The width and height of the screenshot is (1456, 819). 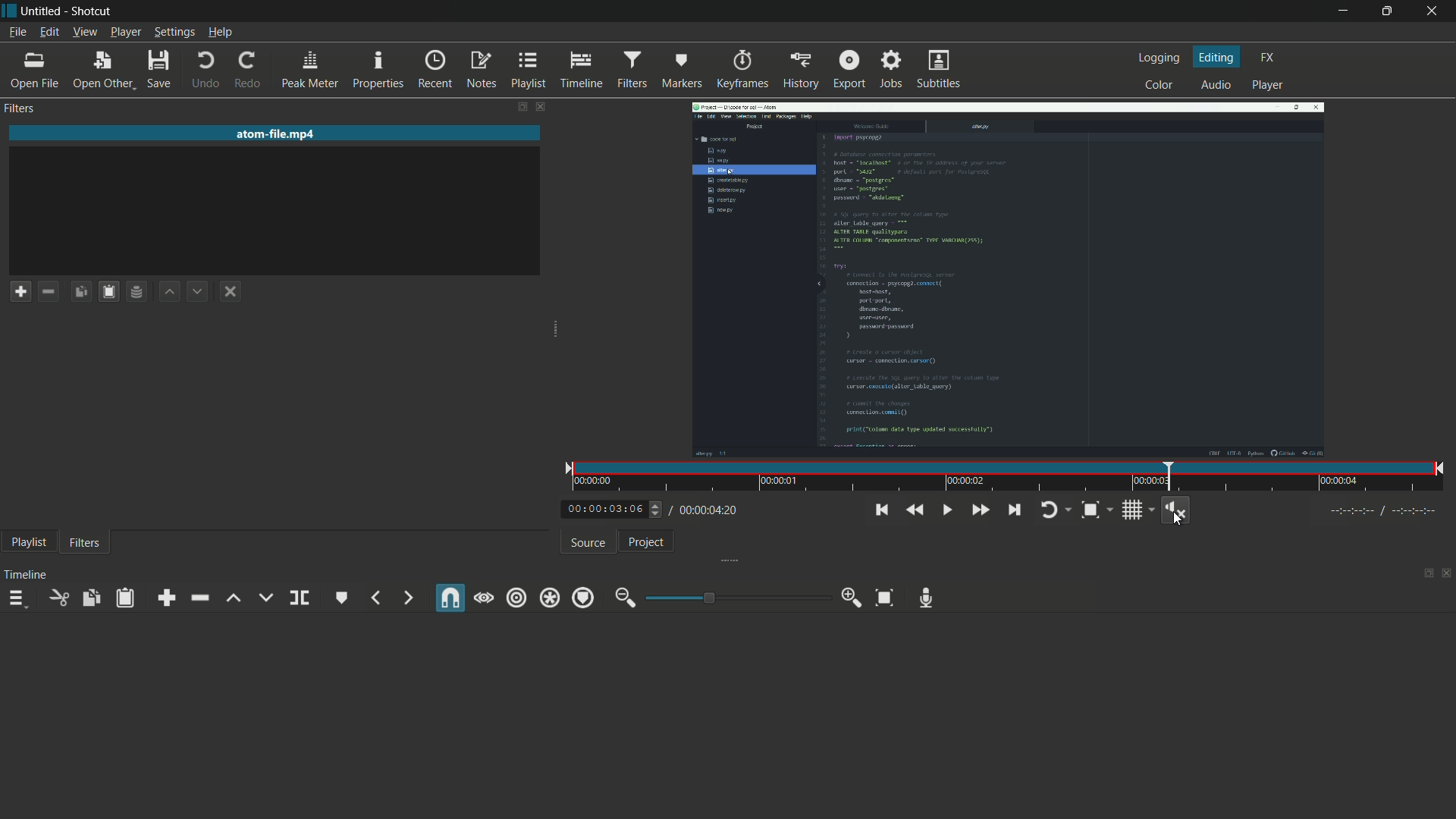 What do you see at coordinates (516, 109) in the screenshot?
I see `change layout` at bounding box center [516, 109].